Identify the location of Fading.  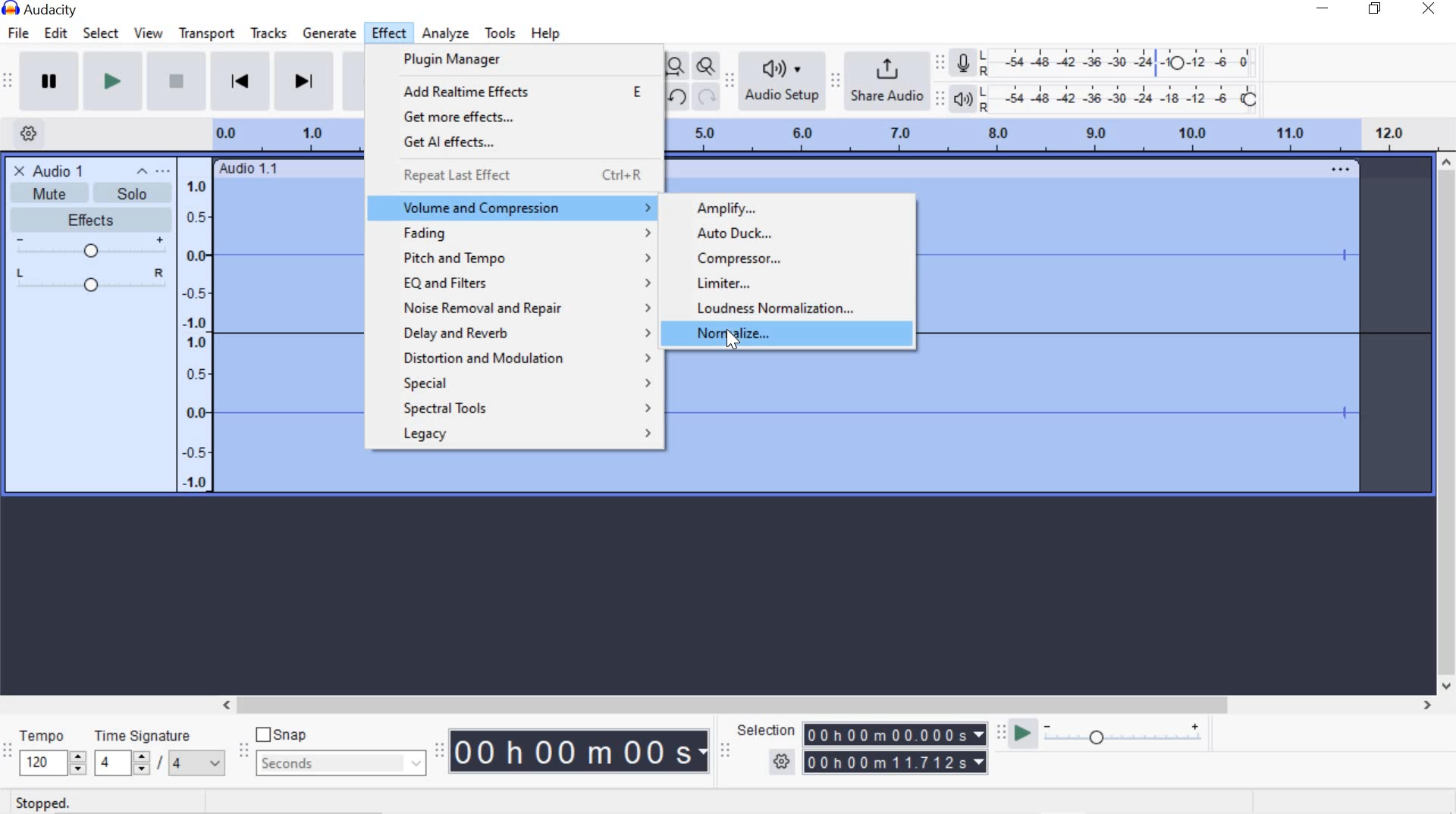
(521, 233).